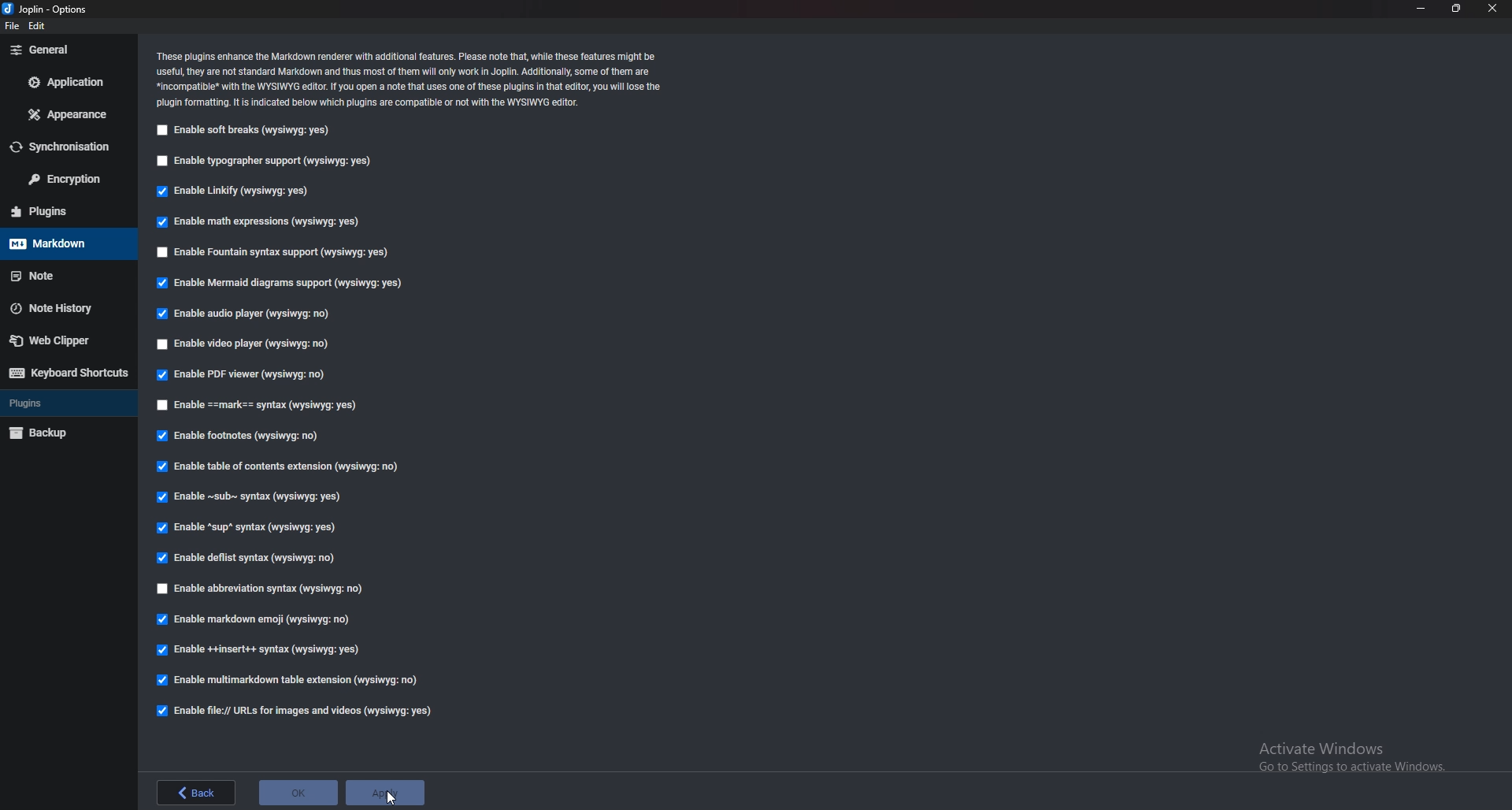 The height and width of the screenshot is (810, 1512). I want to click on Plugins, so click(57, 403).